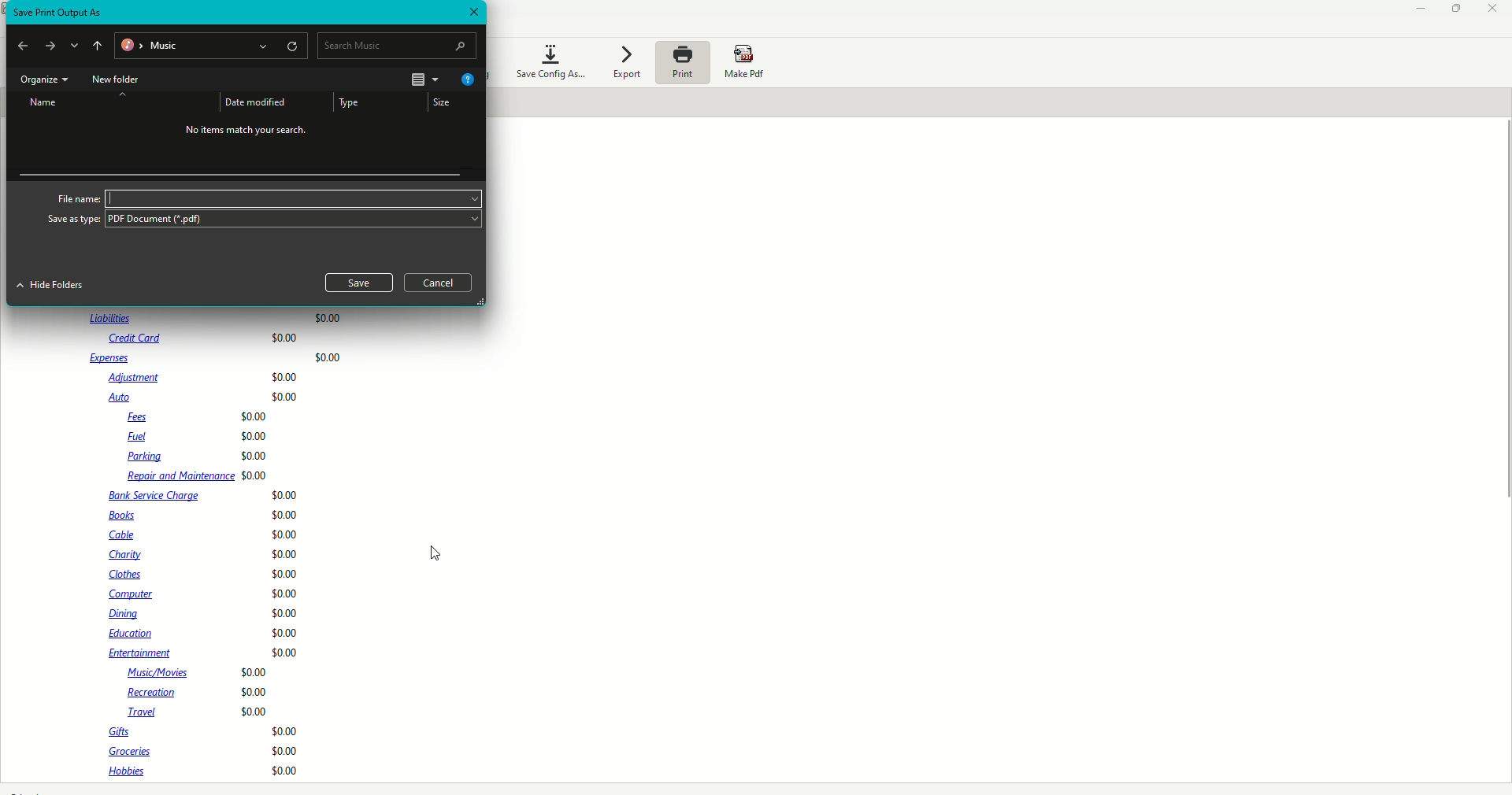 The height and width of the screenshot is (795, 1512). What do you see at coordinates (1493, 10) in the screenshot?
I see `Close` at bounding box center [1493, 10].